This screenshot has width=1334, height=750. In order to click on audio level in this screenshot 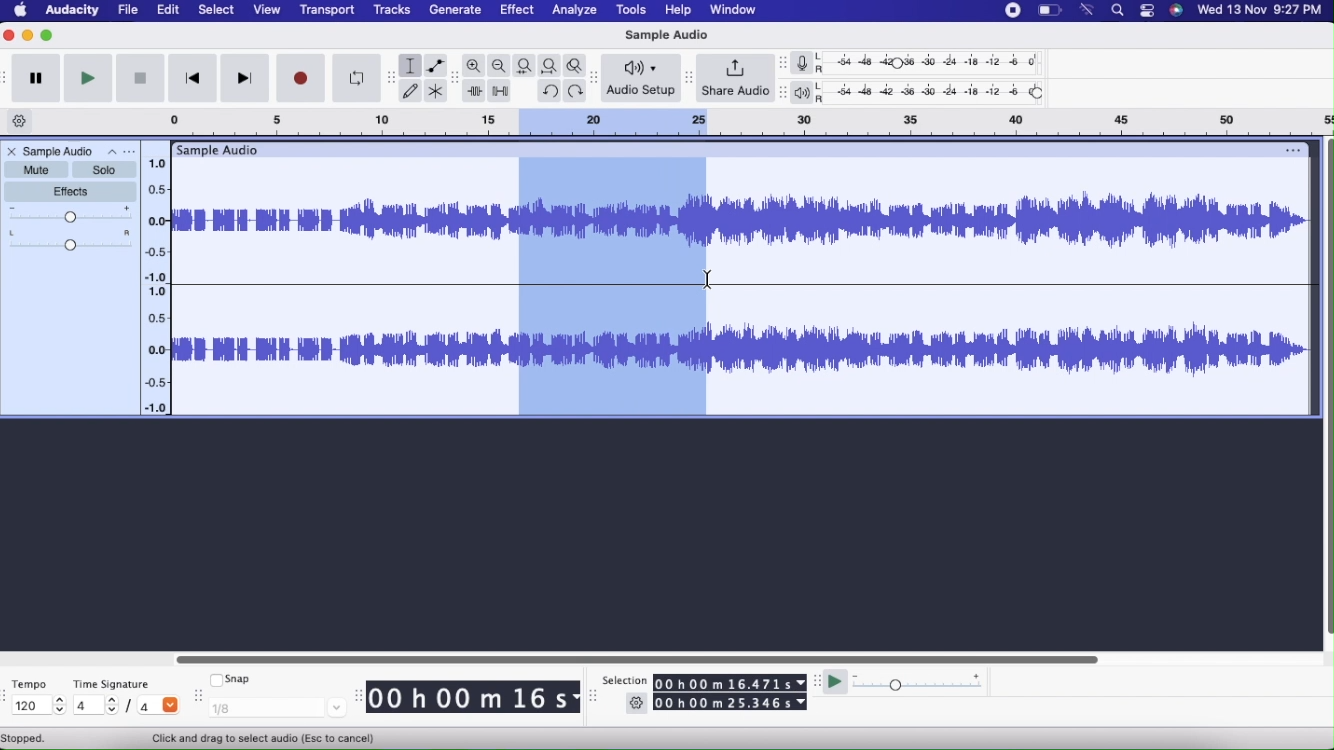, I will do `click(156, 351)`.